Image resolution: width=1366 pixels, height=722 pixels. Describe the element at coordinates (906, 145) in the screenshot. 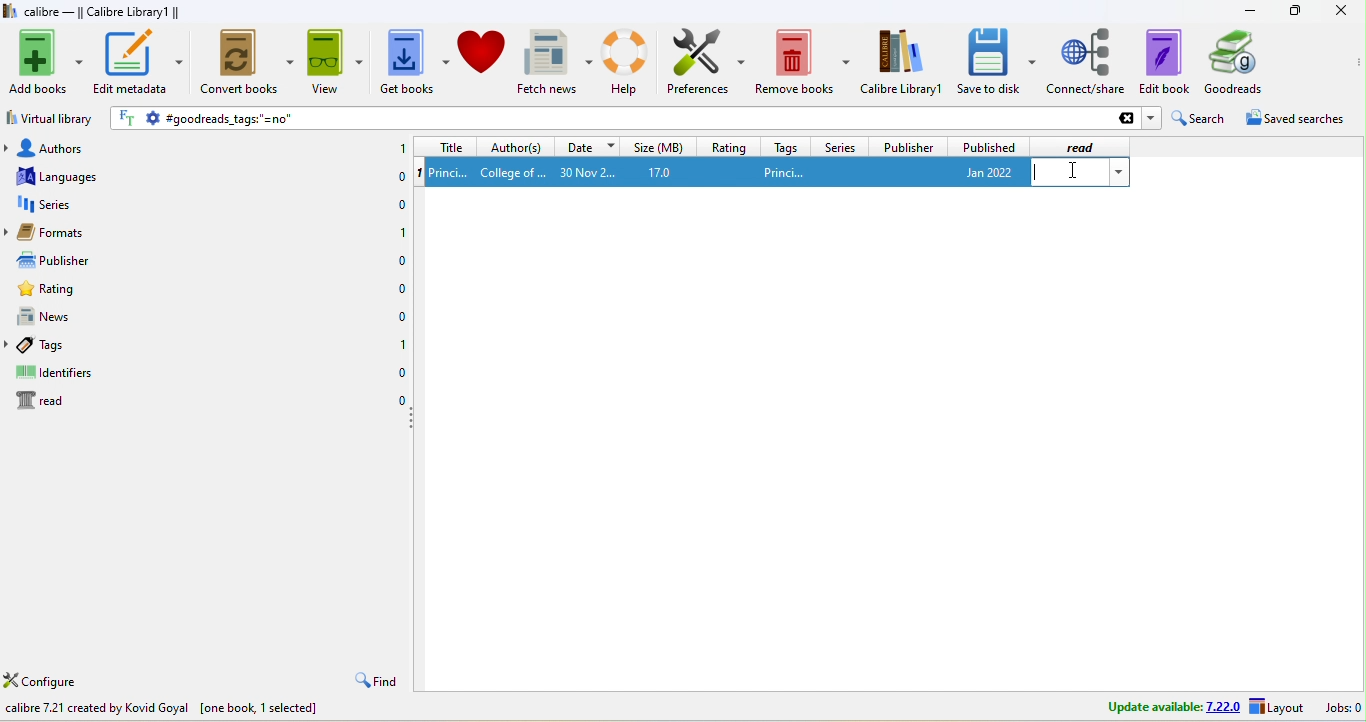

I see `publisher` at that location.